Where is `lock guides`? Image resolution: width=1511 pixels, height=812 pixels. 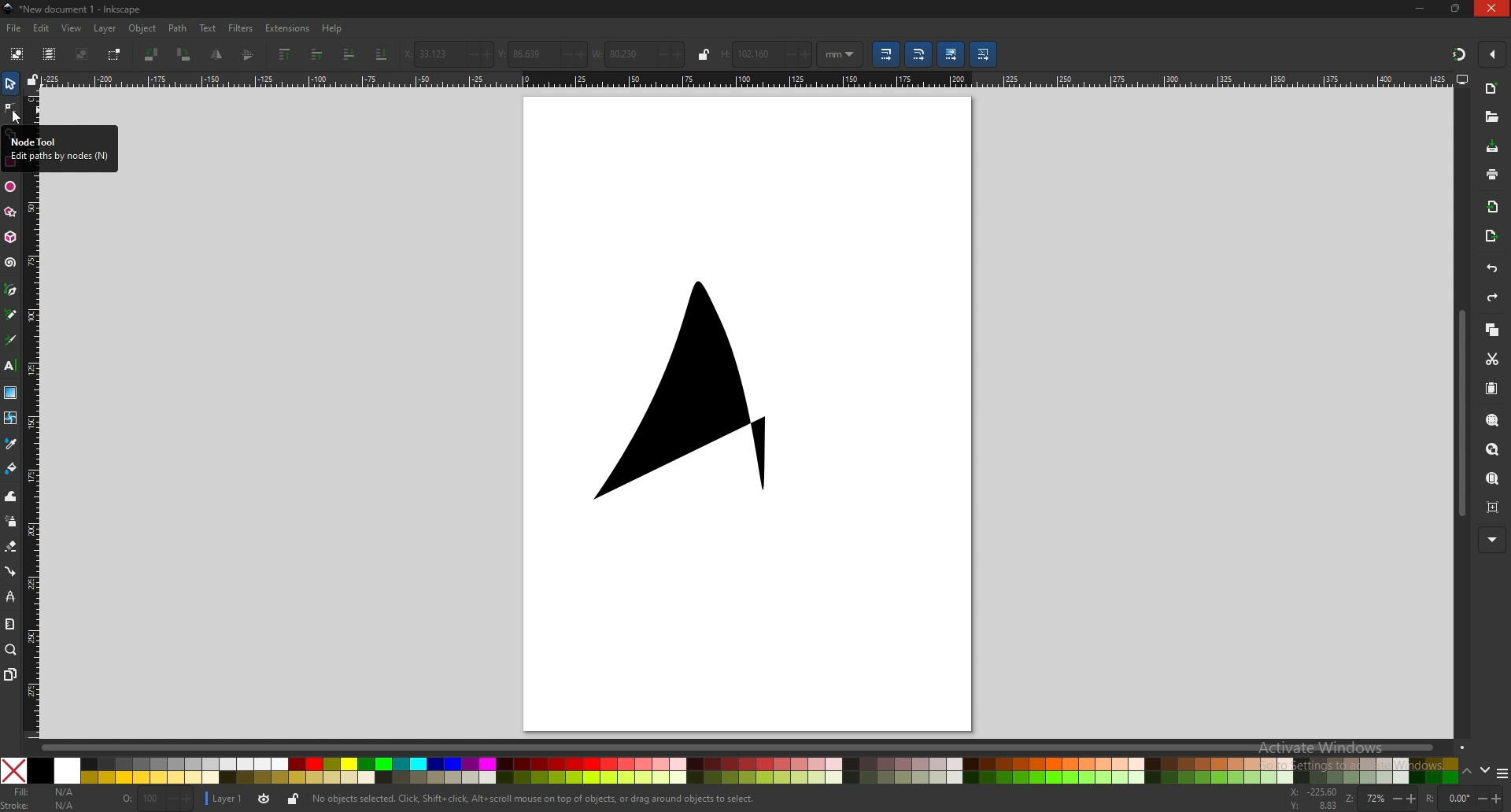 lock guides is located at coordinates (32, 79).